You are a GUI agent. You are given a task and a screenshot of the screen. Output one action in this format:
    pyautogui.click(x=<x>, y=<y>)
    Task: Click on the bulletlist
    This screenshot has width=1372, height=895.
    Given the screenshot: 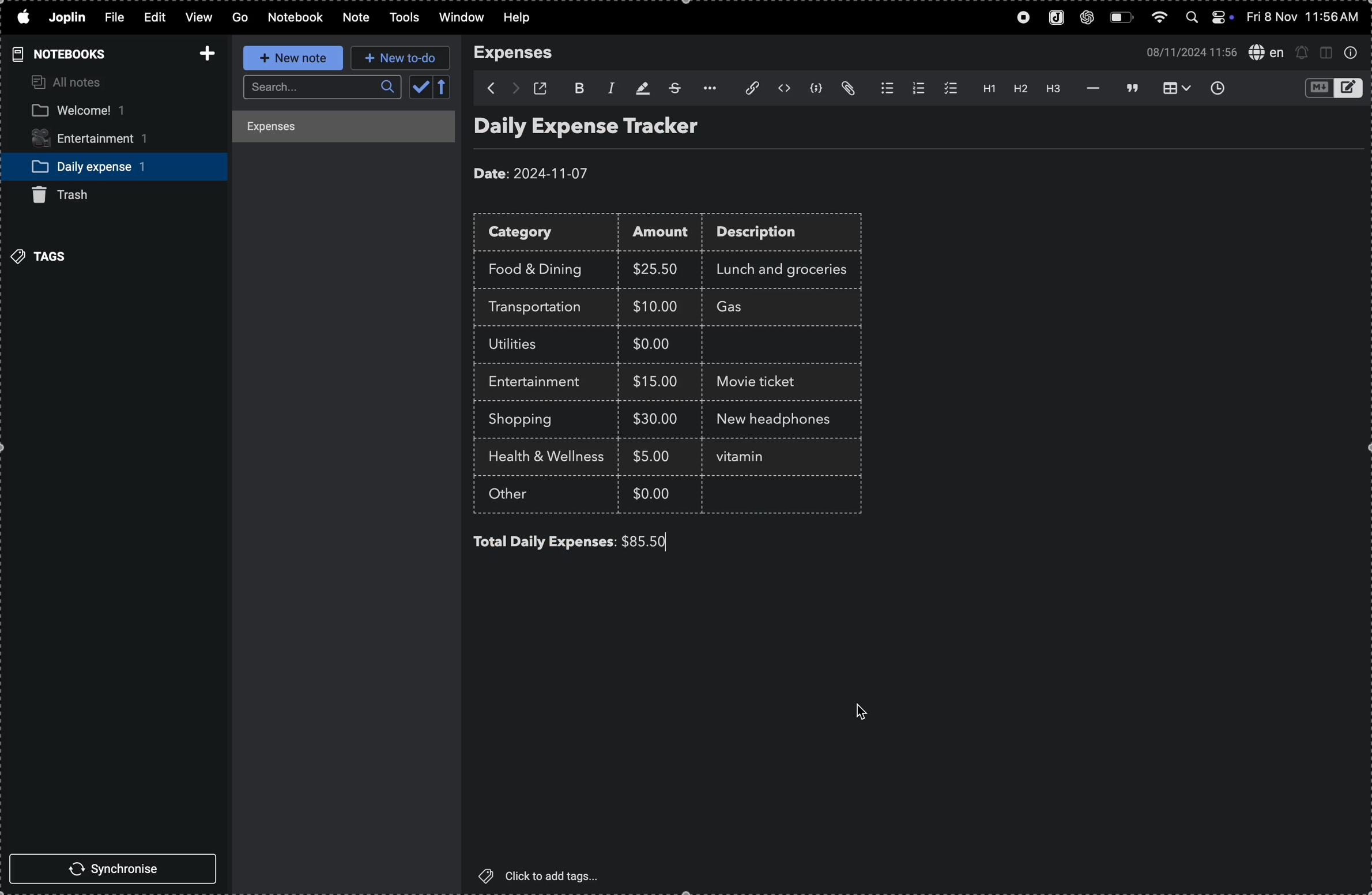 What is the action you would take?
    pyautogui.click(x=884, y=89)
    